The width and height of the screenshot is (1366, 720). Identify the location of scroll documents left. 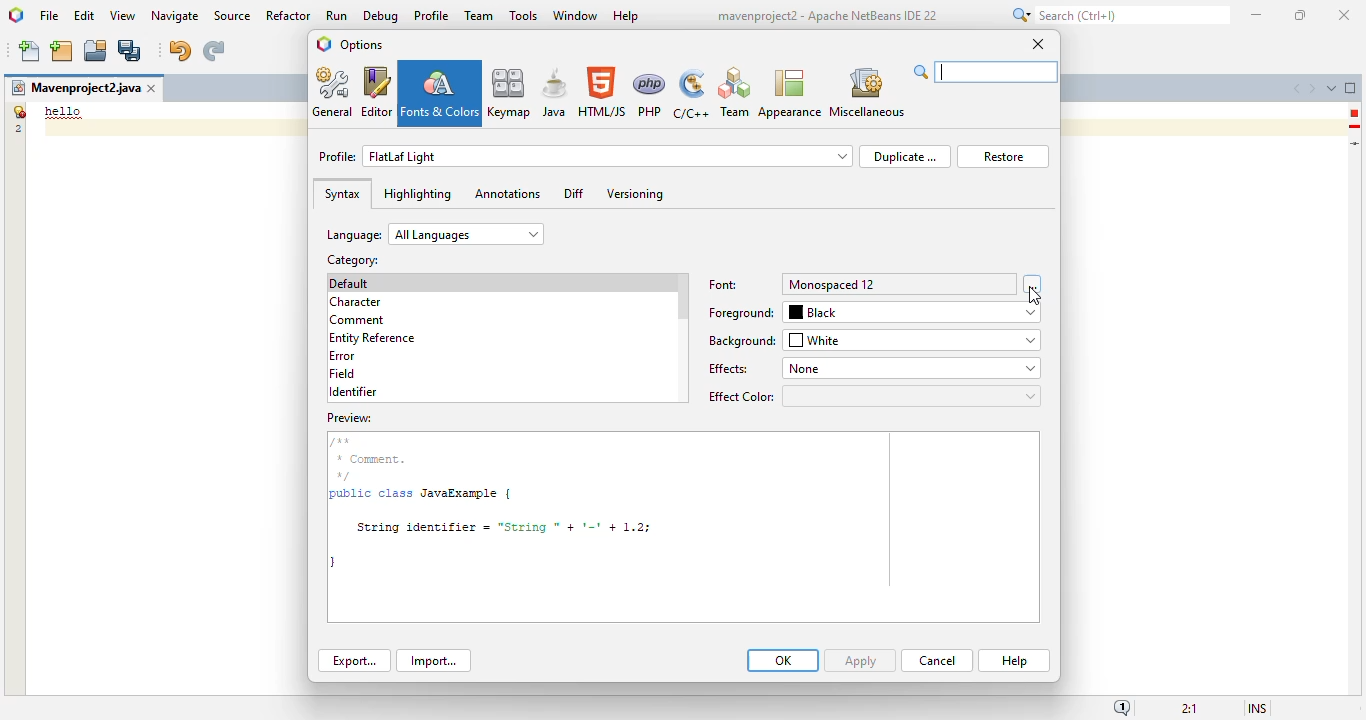
(1299, 89).